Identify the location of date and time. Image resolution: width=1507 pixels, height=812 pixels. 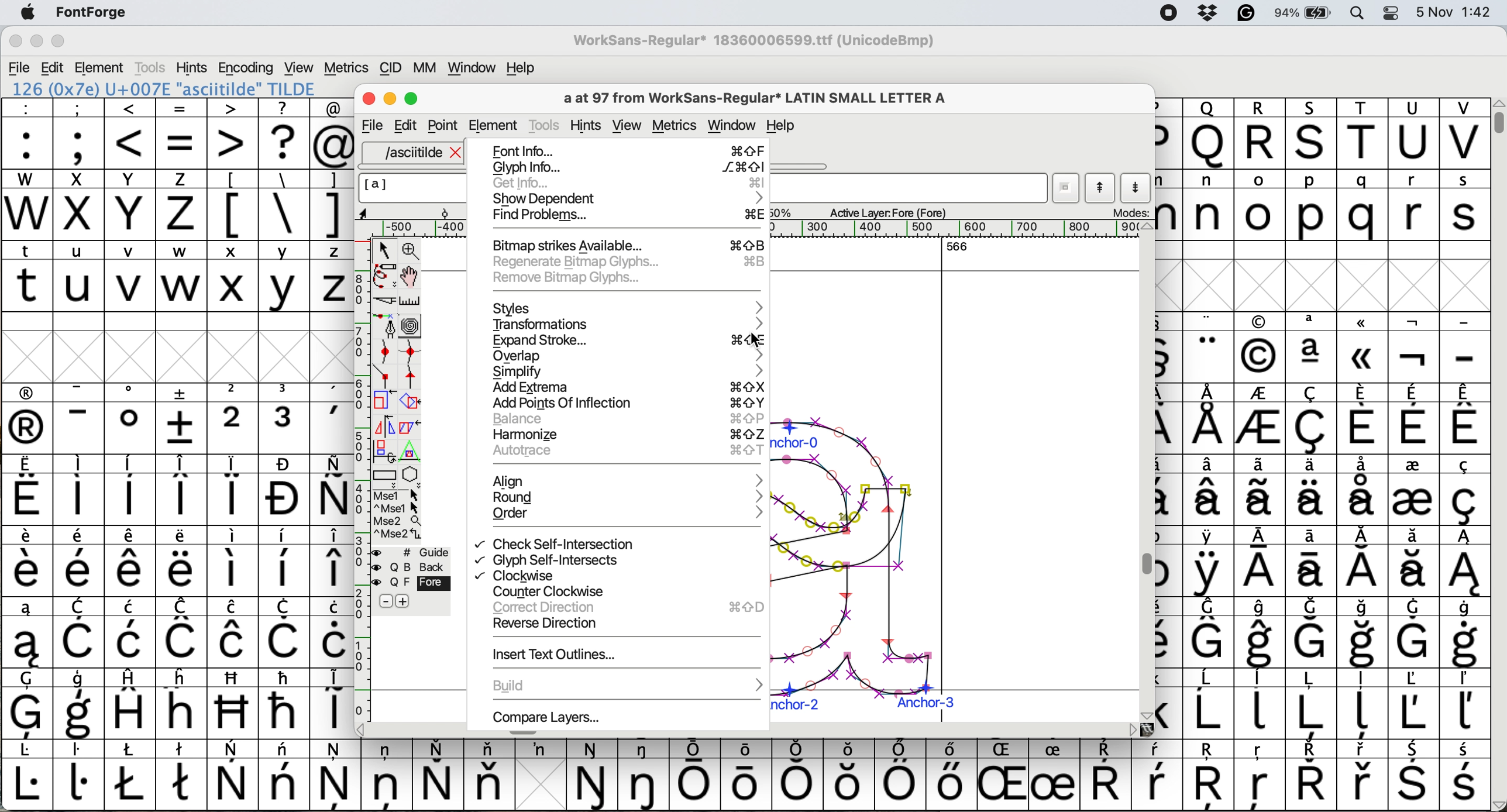
(1454, 11).